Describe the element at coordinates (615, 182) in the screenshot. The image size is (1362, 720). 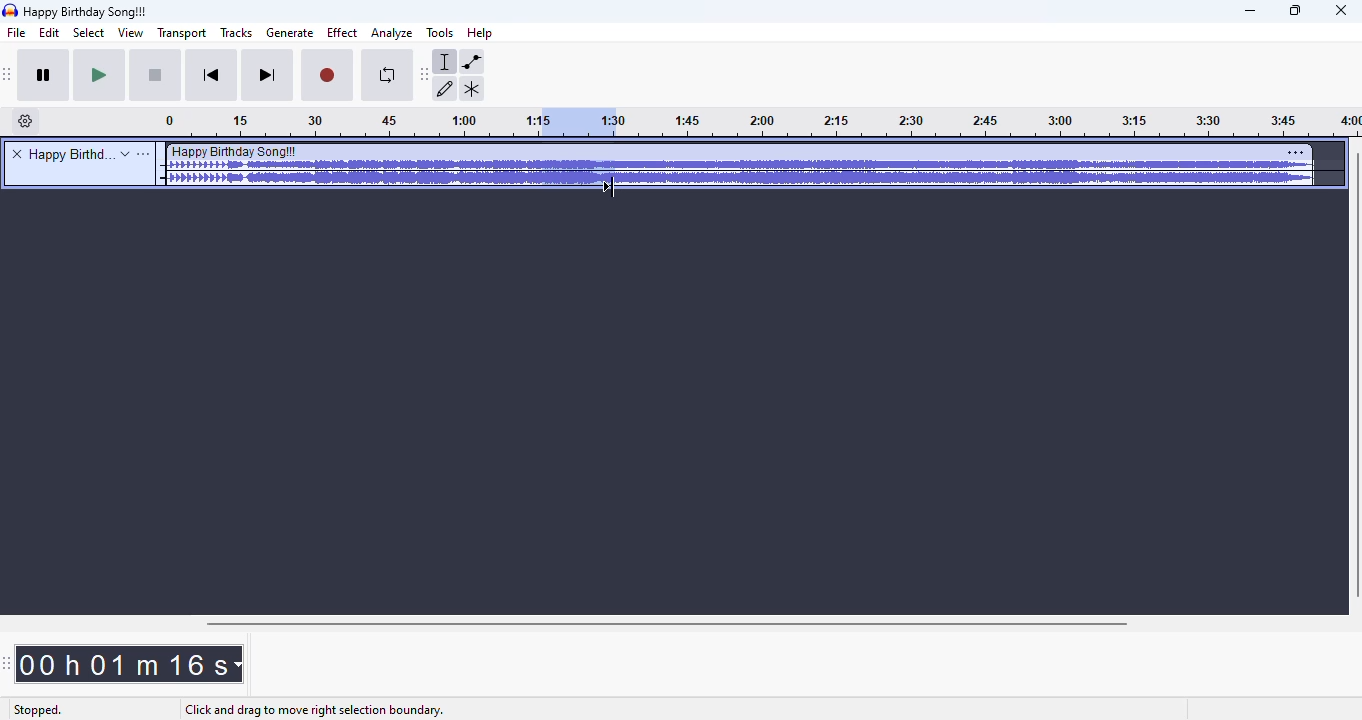
I see `I beam cursor` at that location.